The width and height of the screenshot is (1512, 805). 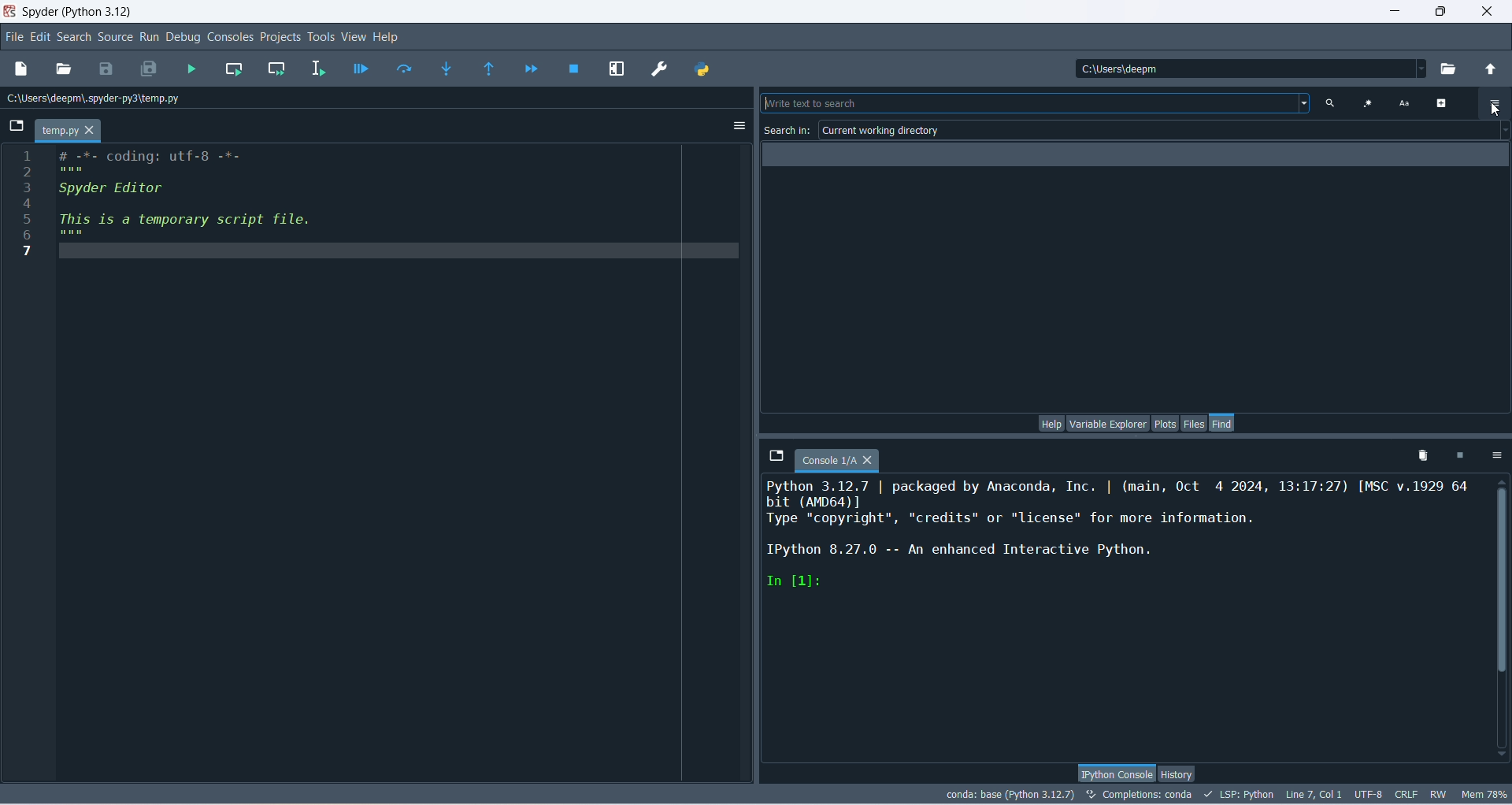 What do you see at coordinates (405, 67) in the screenshot?
I see `run current line` at bounding box center [405, 67].